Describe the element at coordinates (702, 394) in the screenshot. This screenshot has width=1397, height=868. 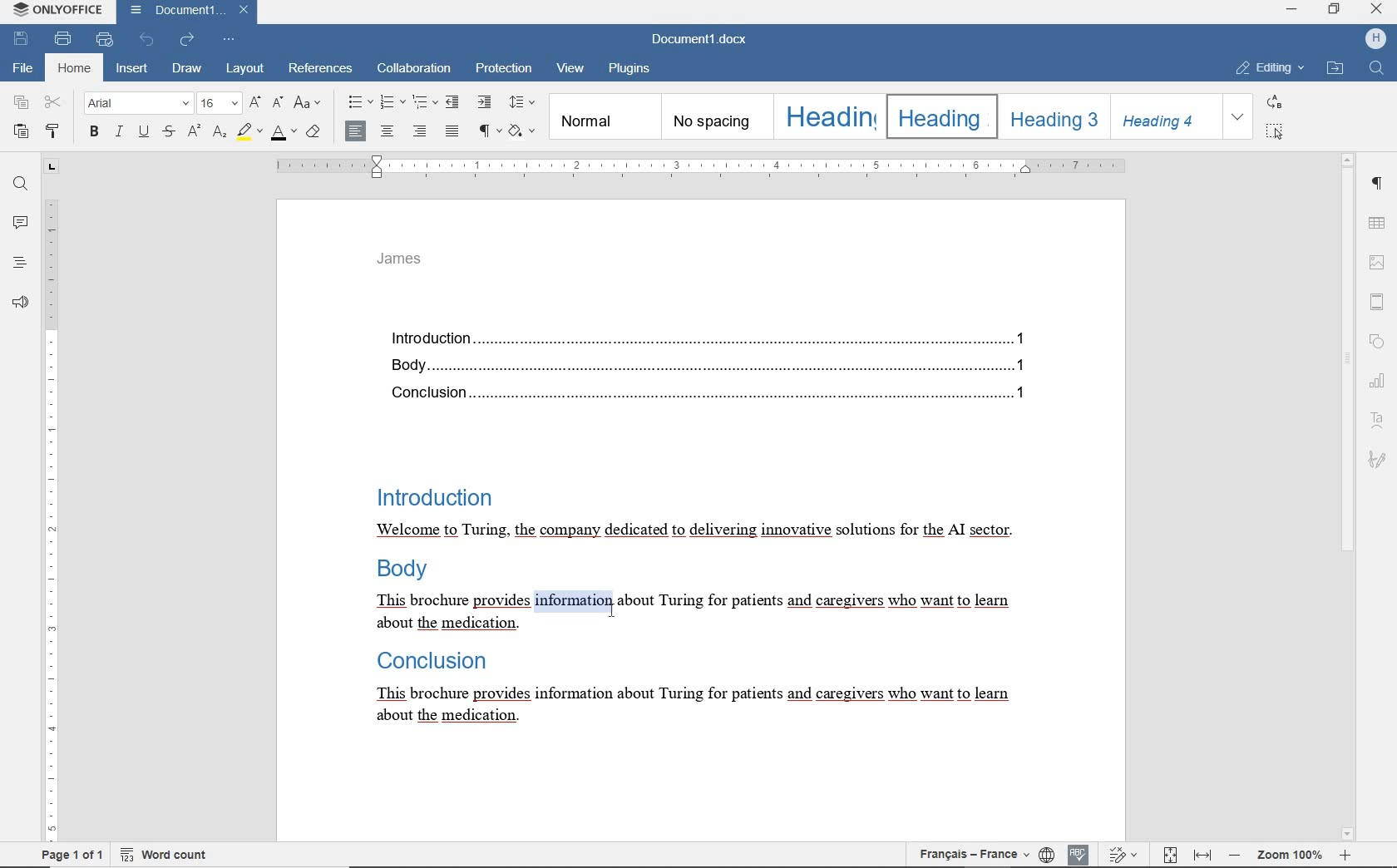
I see `Conclusion......1` at that location.